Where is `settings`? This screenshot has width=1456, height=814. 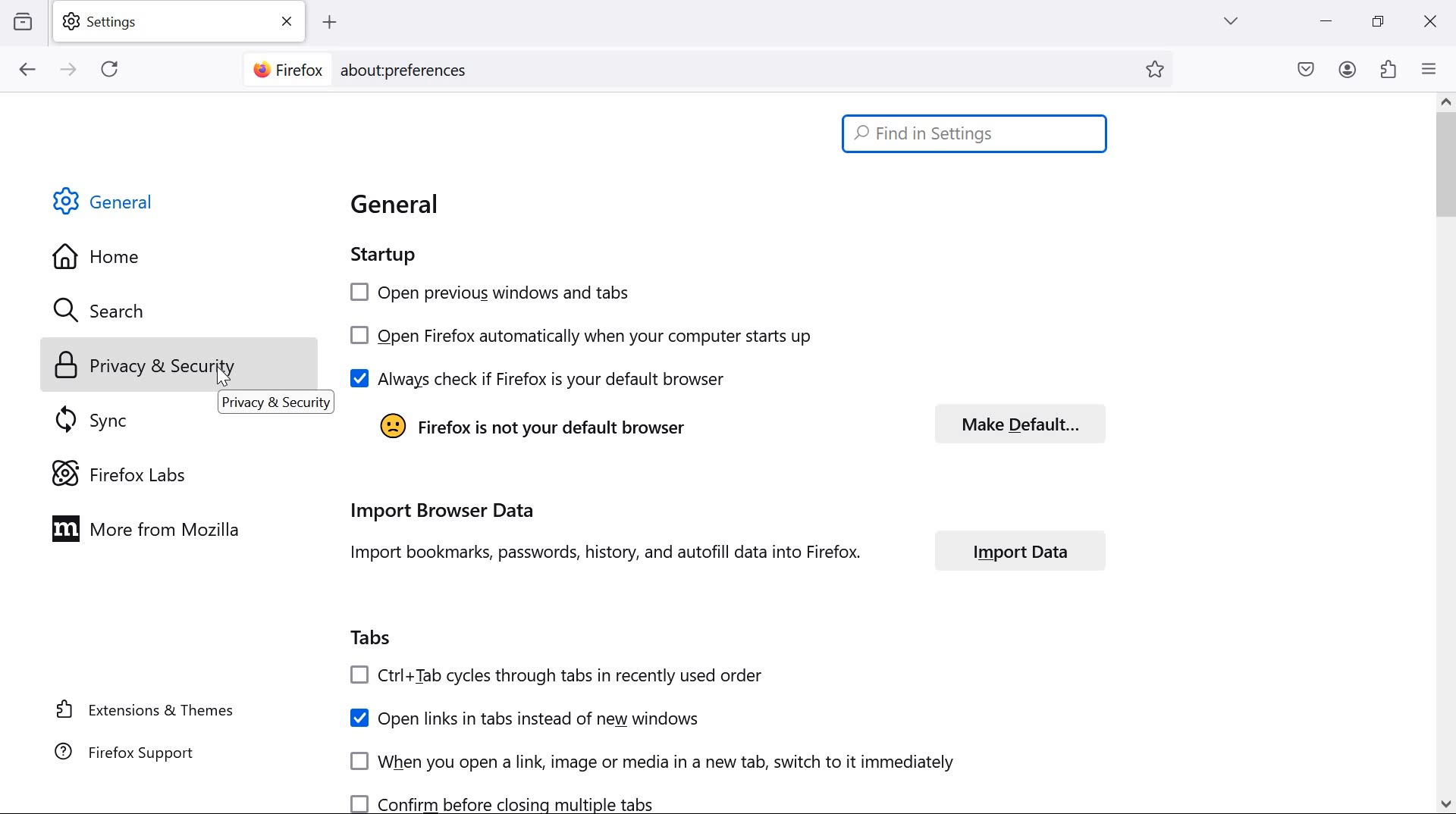
settings is located at coordinates (183, 22).